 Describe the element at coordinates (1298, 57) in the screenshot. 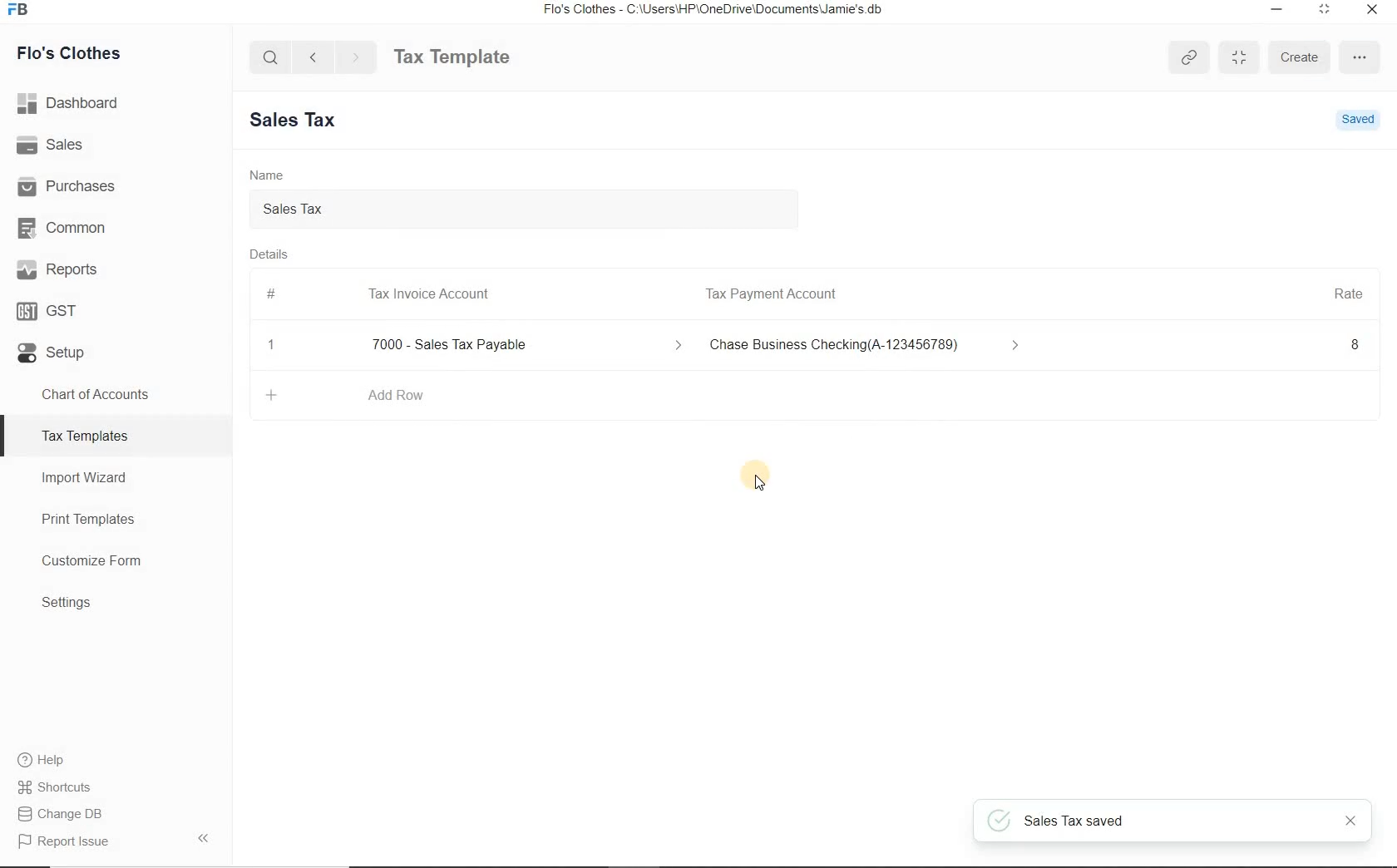

I see `Create` at that location.